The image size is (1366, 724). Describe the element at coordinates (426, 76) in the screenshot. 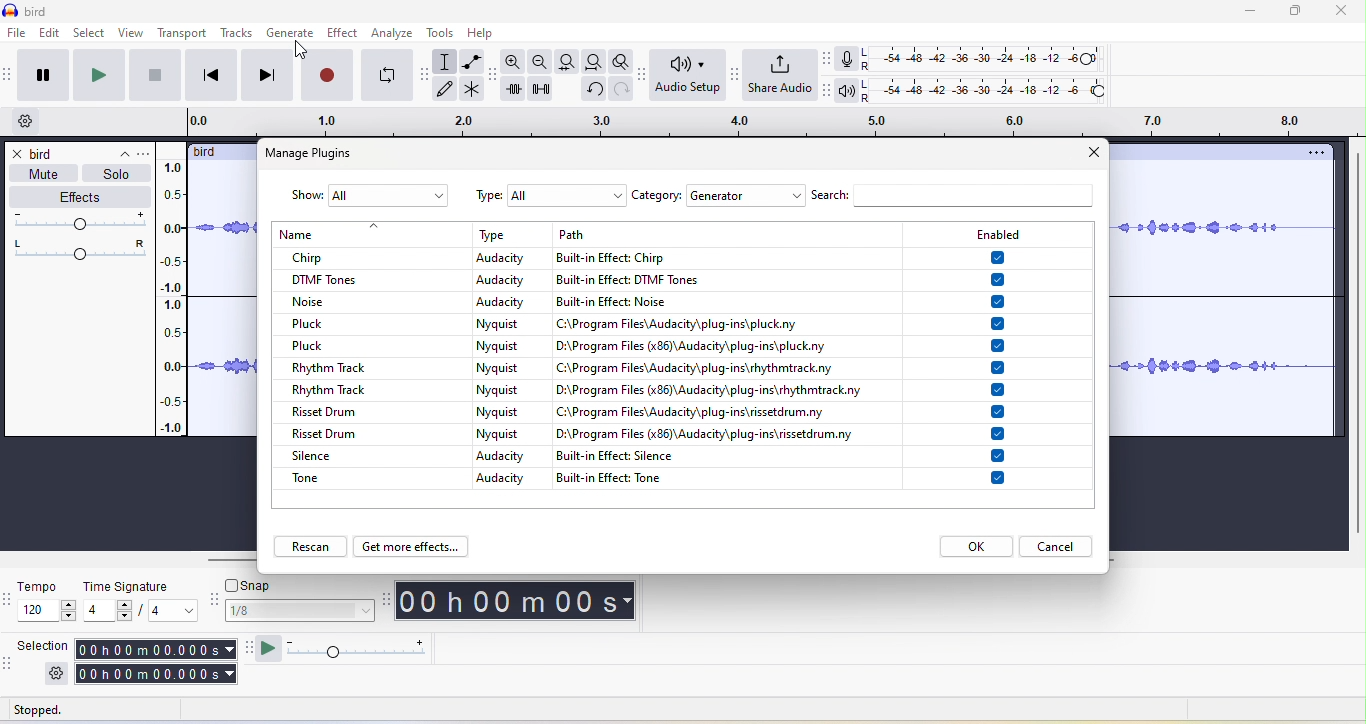

I see `audacity tools toolbar` at that location.